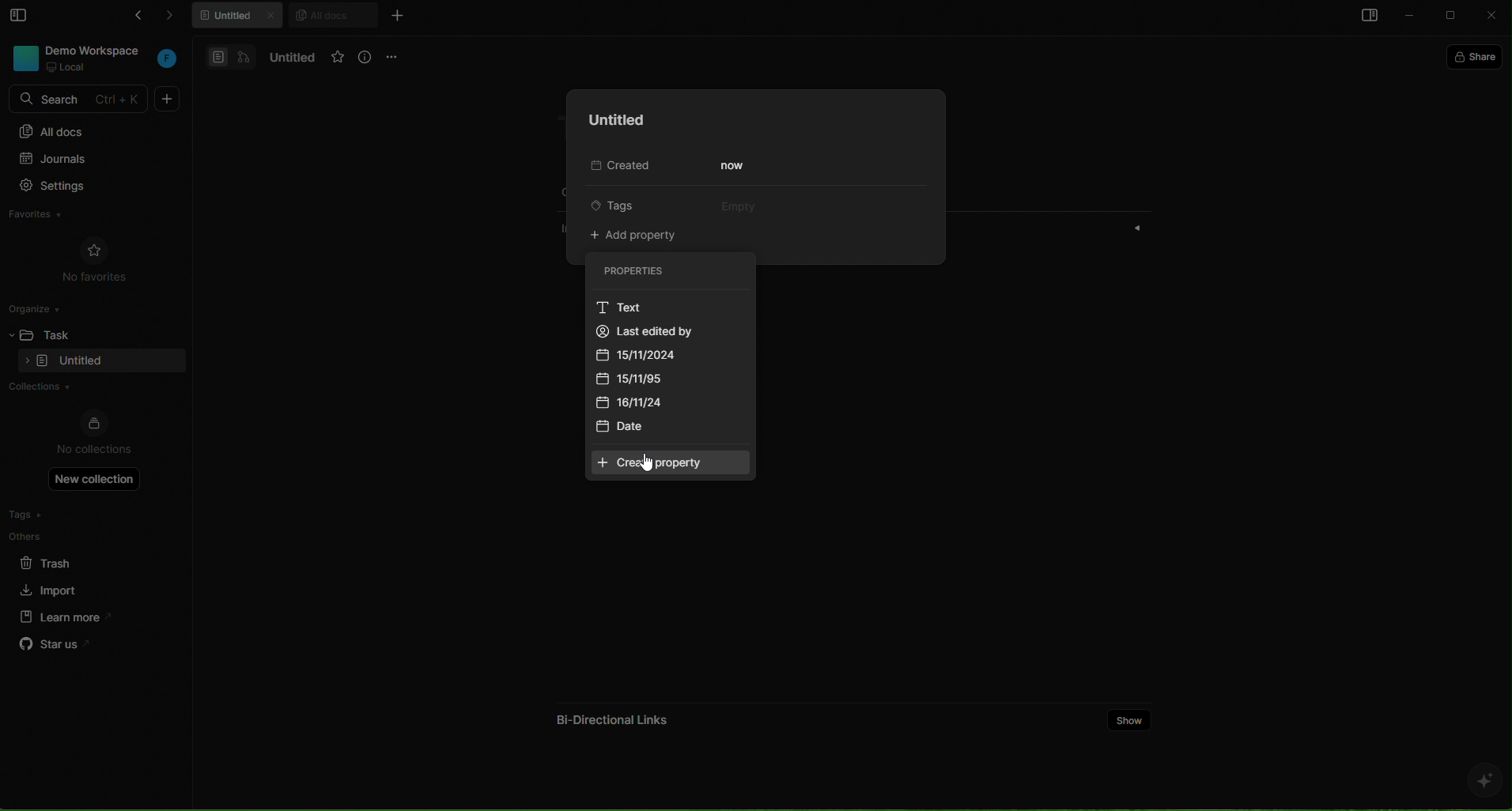 The height and width of the screenshot is (811, 1512). Describe the element at coordinates (134, 18) in the screenshot. I see `go back` at that location.